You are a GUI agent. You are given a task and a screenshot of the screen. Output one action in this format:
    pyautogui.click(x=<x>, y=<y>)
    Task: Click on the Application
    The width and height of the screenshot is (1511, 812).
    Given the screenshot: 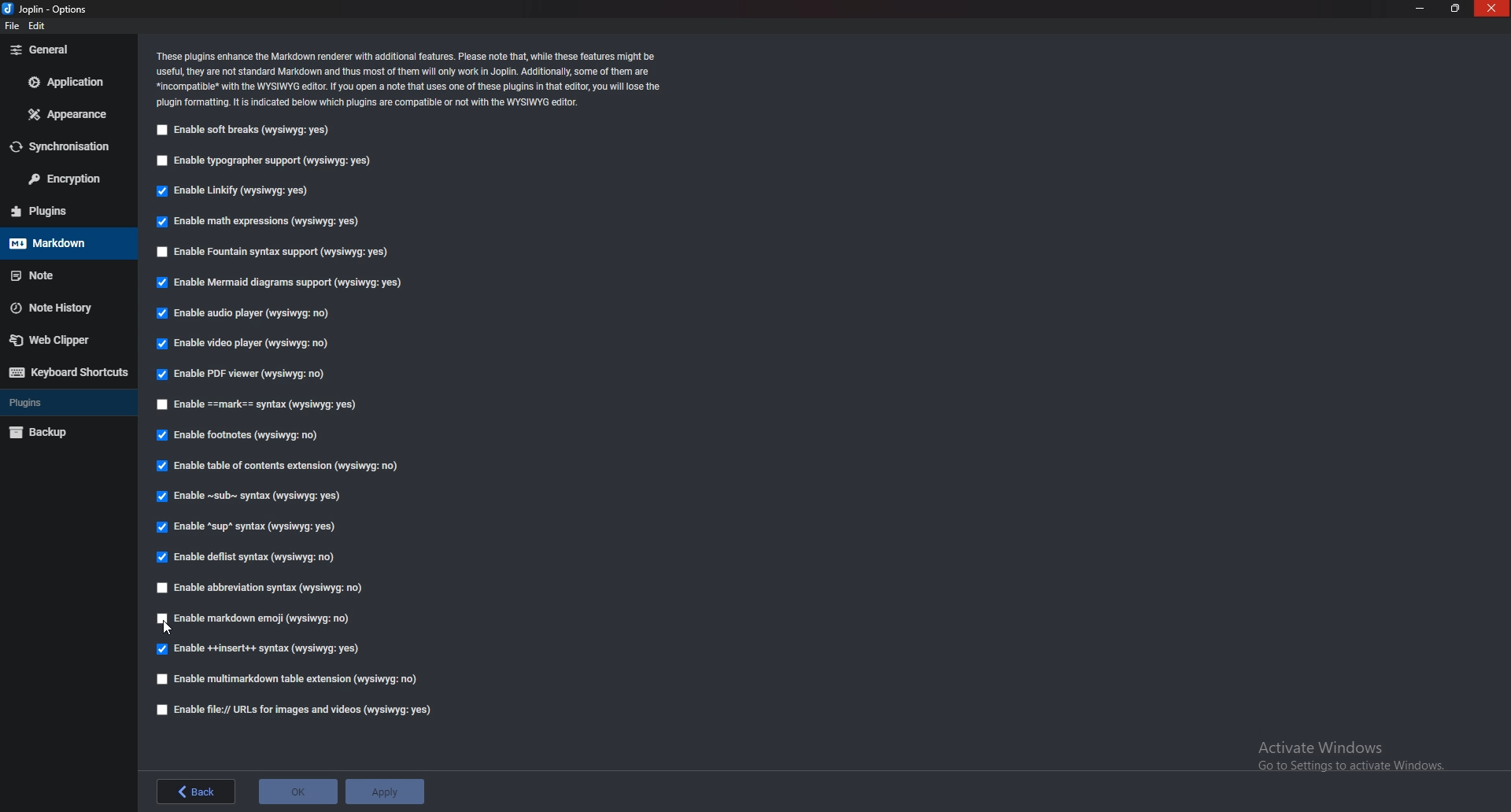 What is the action you would take?
    pyautogui.click(x=65, y=83)
    